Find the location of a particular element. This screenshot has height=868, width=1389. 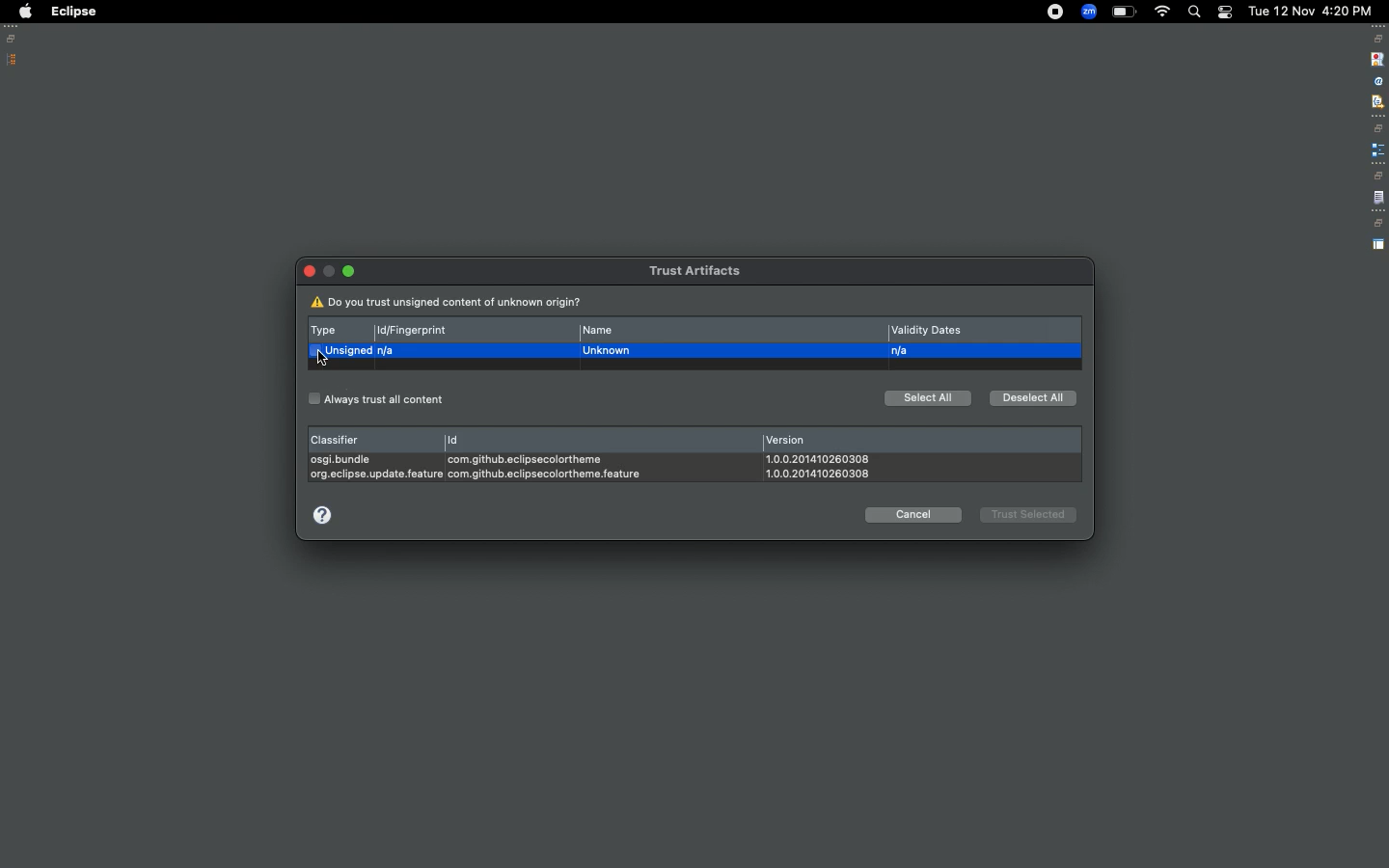

unknown is located at coordinates (610, 351).